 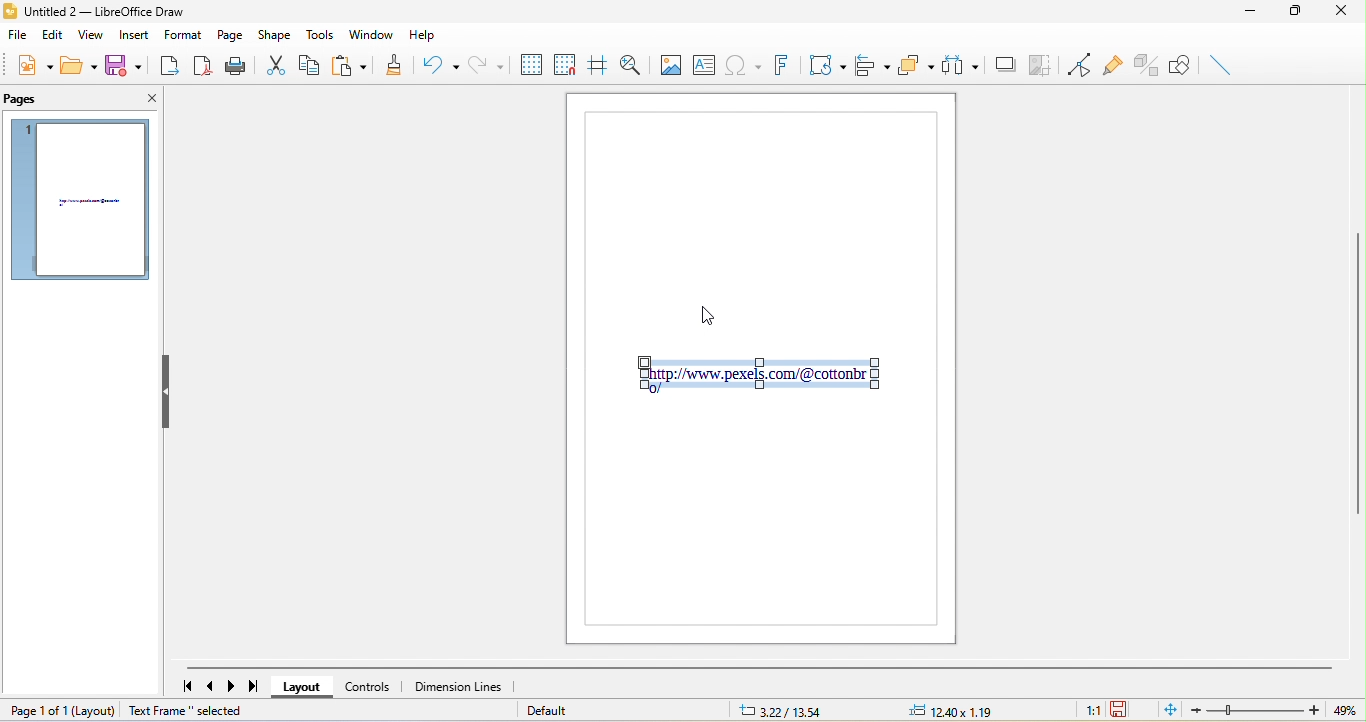 What do you see at coordinates (1075, 63) in the screenshot?
I see `toggle point edit mode` at bounding box center [1075, 63].